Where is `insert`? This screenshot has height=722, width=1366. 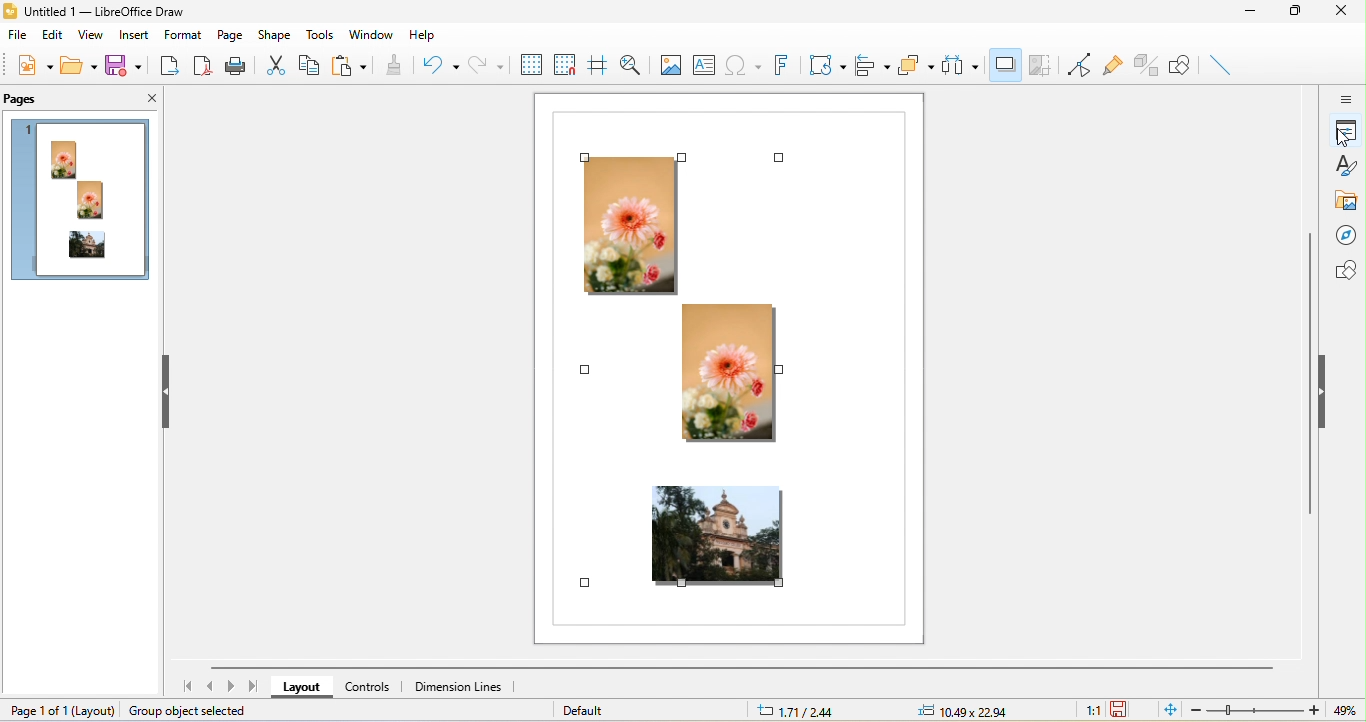
insert is located at coordinates (134, 35).